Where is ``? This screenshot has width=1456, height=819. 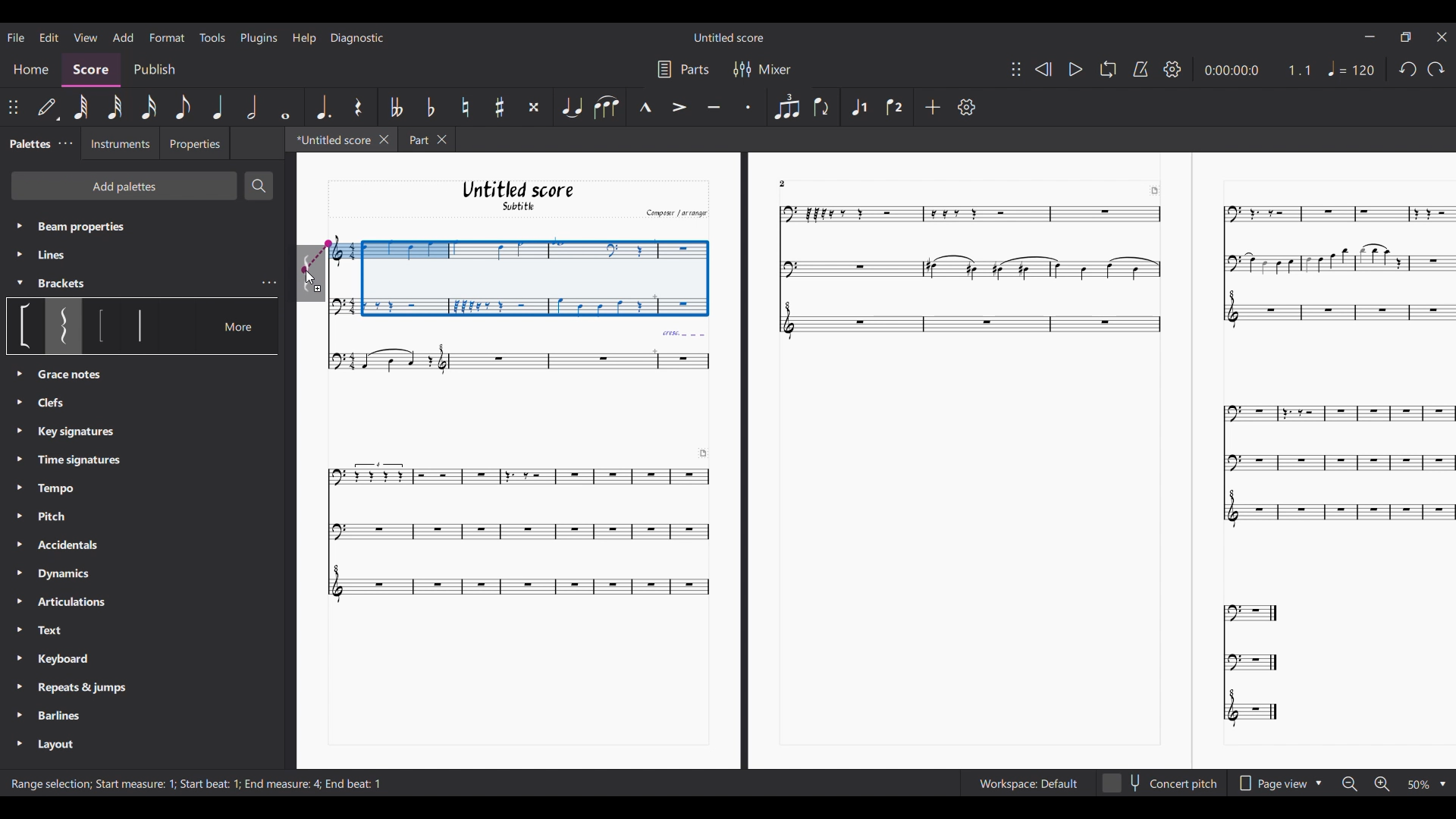  is located at coordinates (17, 543).